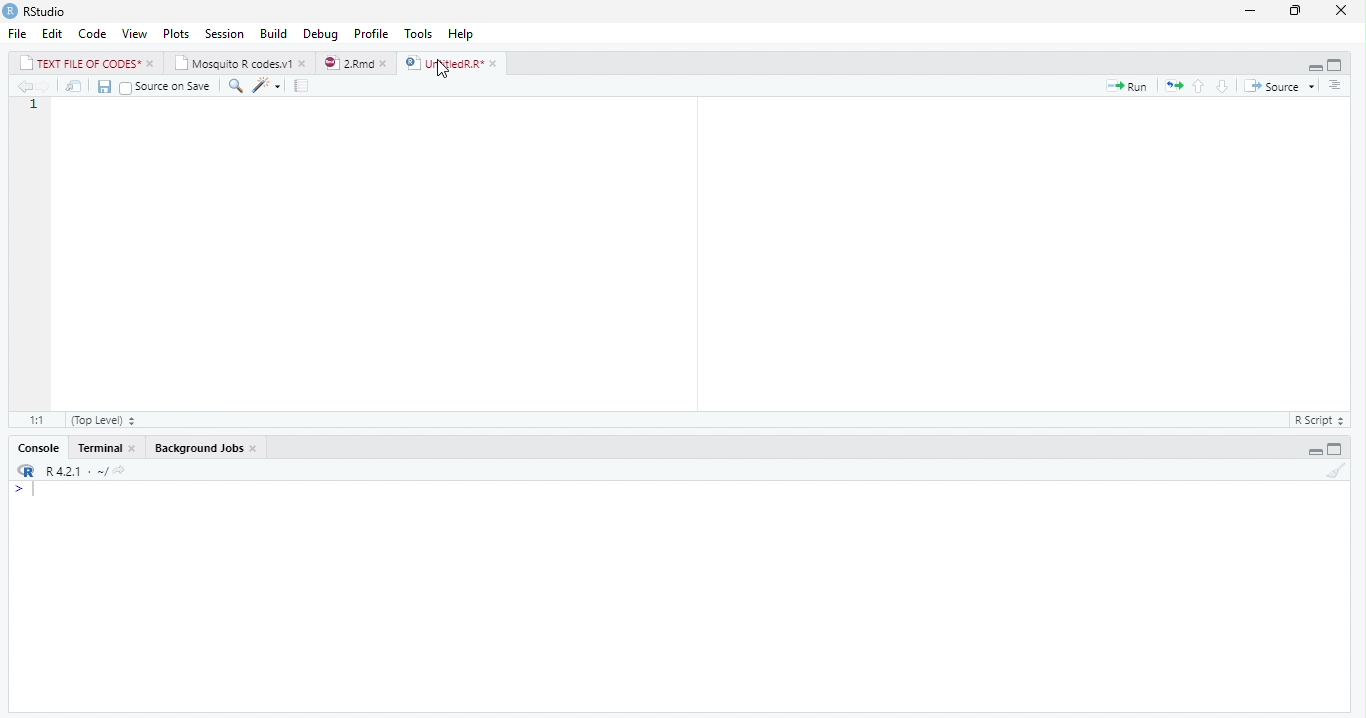 This screenshot has width=1366, height=718. Describe the element at coordinates (1196, 86) in the screenshot. I see `go to previous section/chunk` at that location.